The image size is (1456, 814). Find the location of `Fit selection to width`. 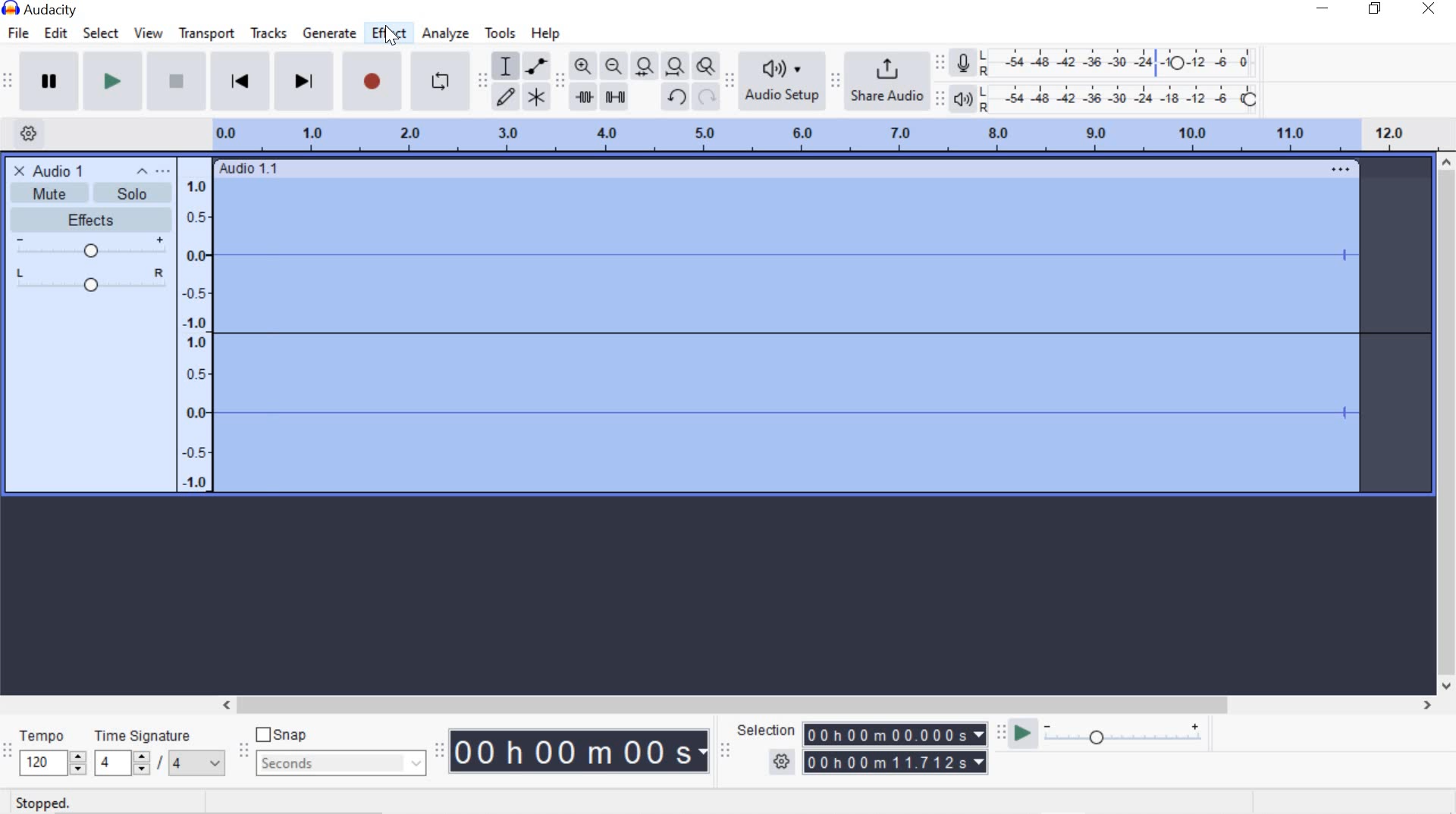

Fit selection to width is located at coordinates (645, 66).